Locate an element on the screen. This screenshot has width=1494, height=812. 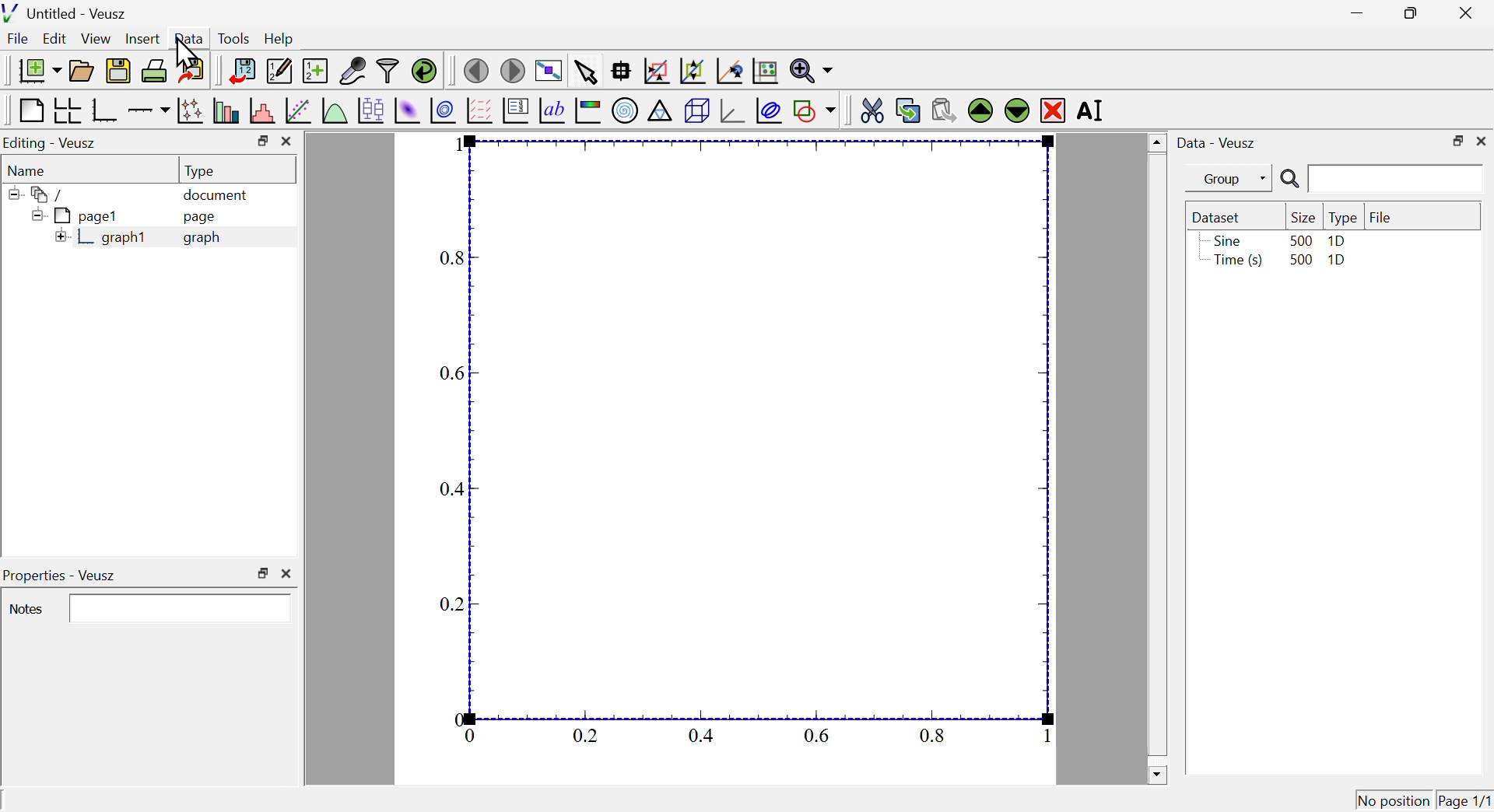
size is located at coordinates (1301, 217).